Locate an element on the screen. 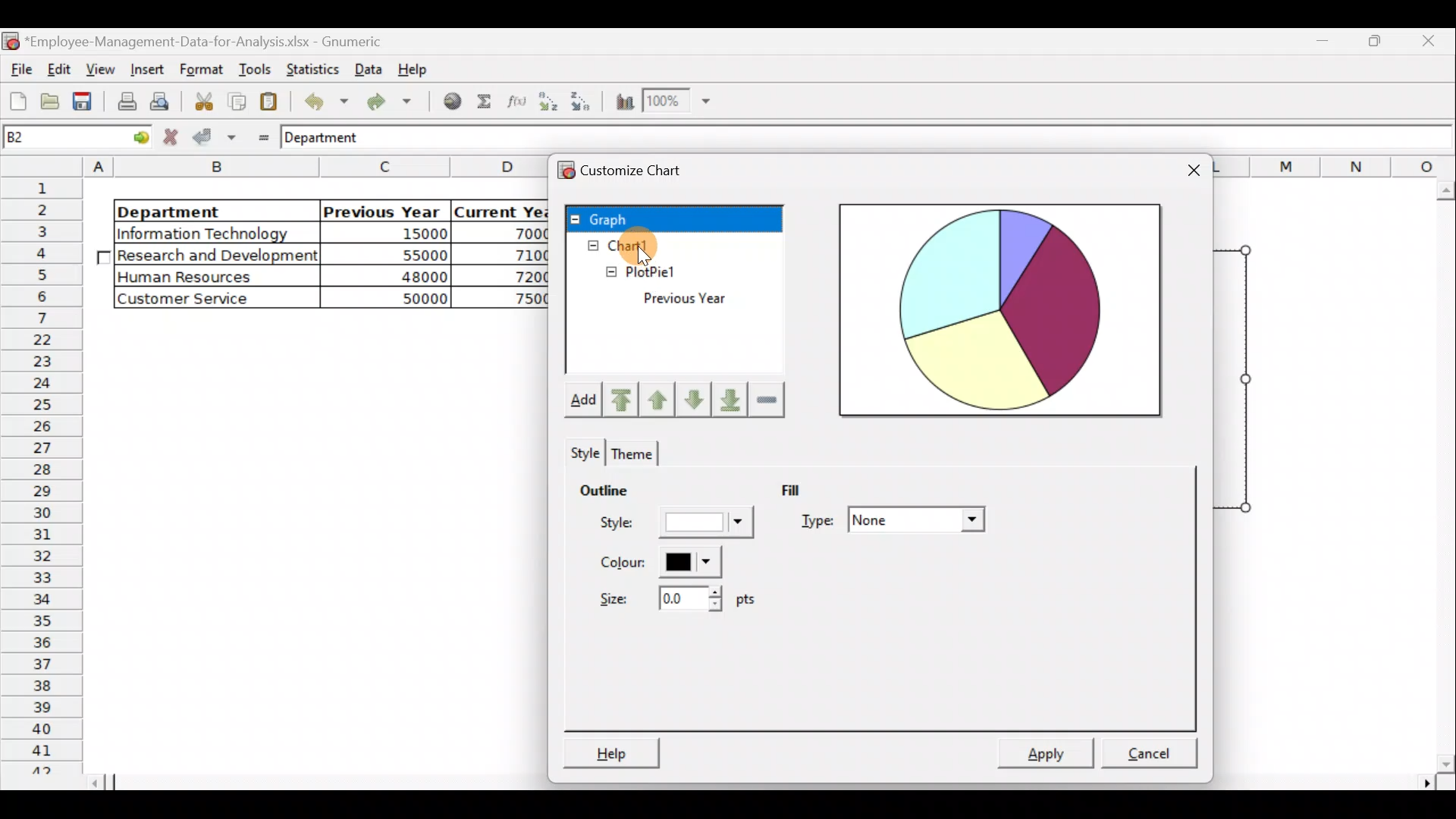 This screenshot has height=819, width=1456. Outline is located at coordinates (611, 491).